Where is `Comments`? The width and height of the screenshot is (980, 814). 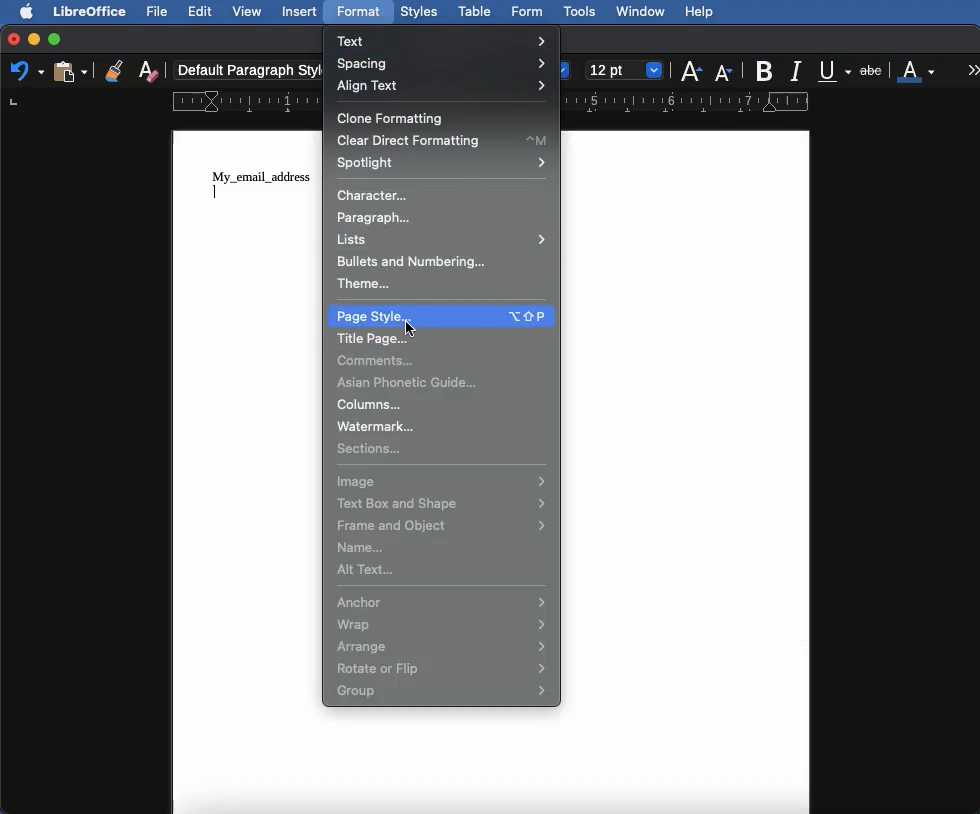
Comments is located at coordinates (380, 360).